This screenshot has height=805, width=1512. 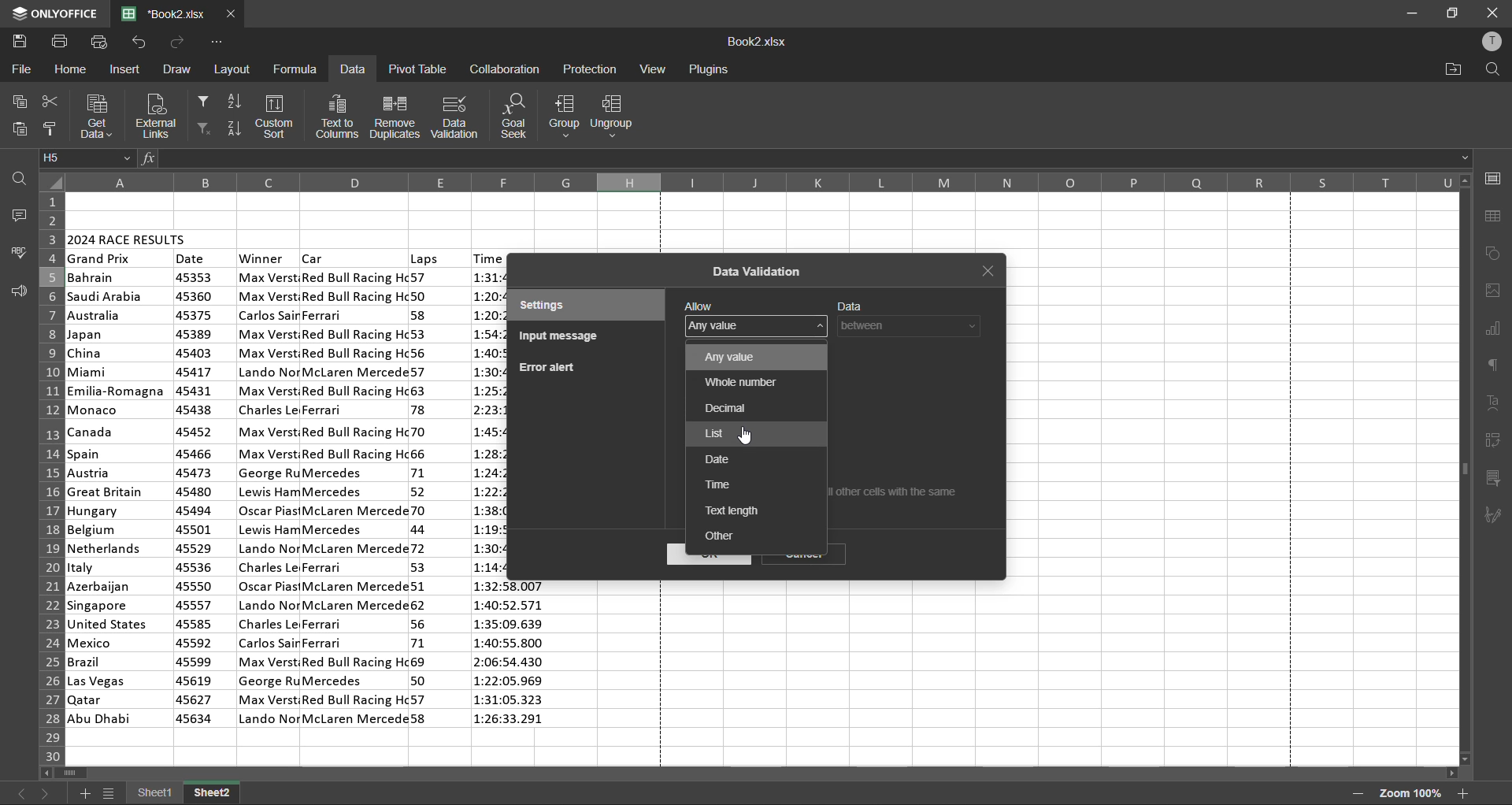 I want to click on 2024 race results, so click(x=129, y=237).